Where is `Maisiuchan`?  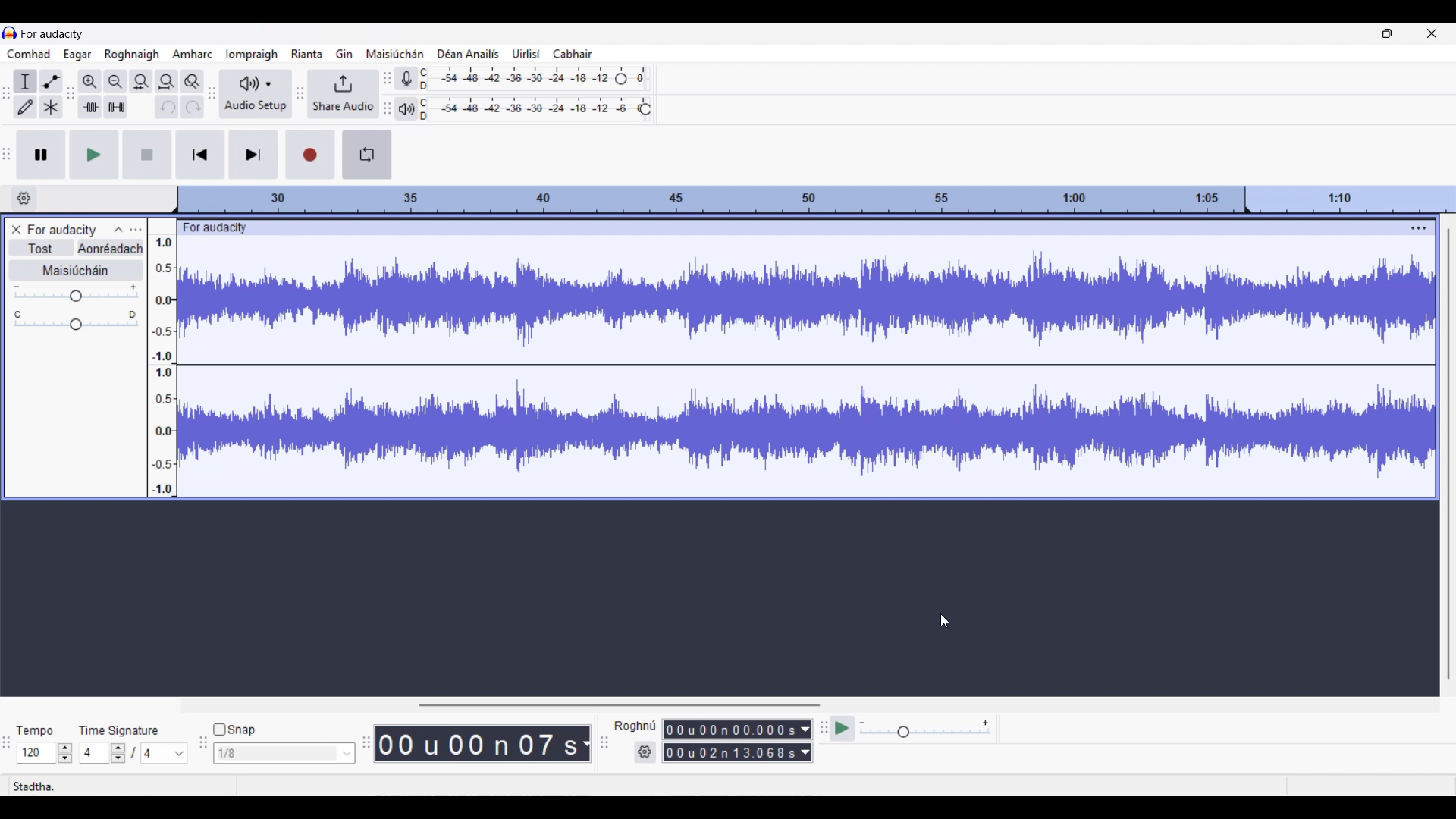
Maisiuchan is located at coordinates (393, 52).